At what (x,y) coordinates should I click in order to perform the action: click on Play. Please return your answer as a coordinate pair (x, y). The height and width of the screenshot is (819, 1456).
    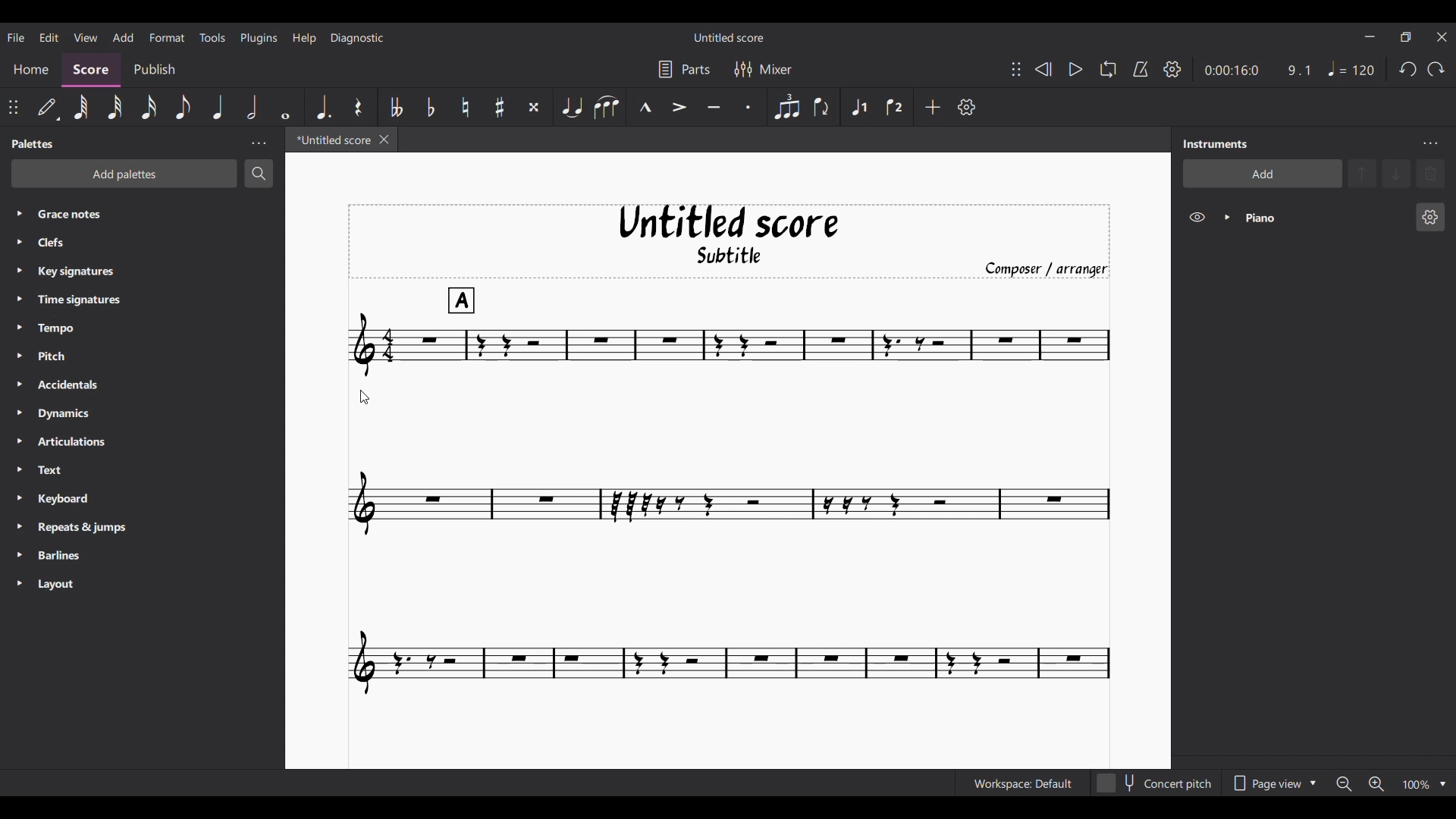
    Looking at the image, I should click on (1075, 69).